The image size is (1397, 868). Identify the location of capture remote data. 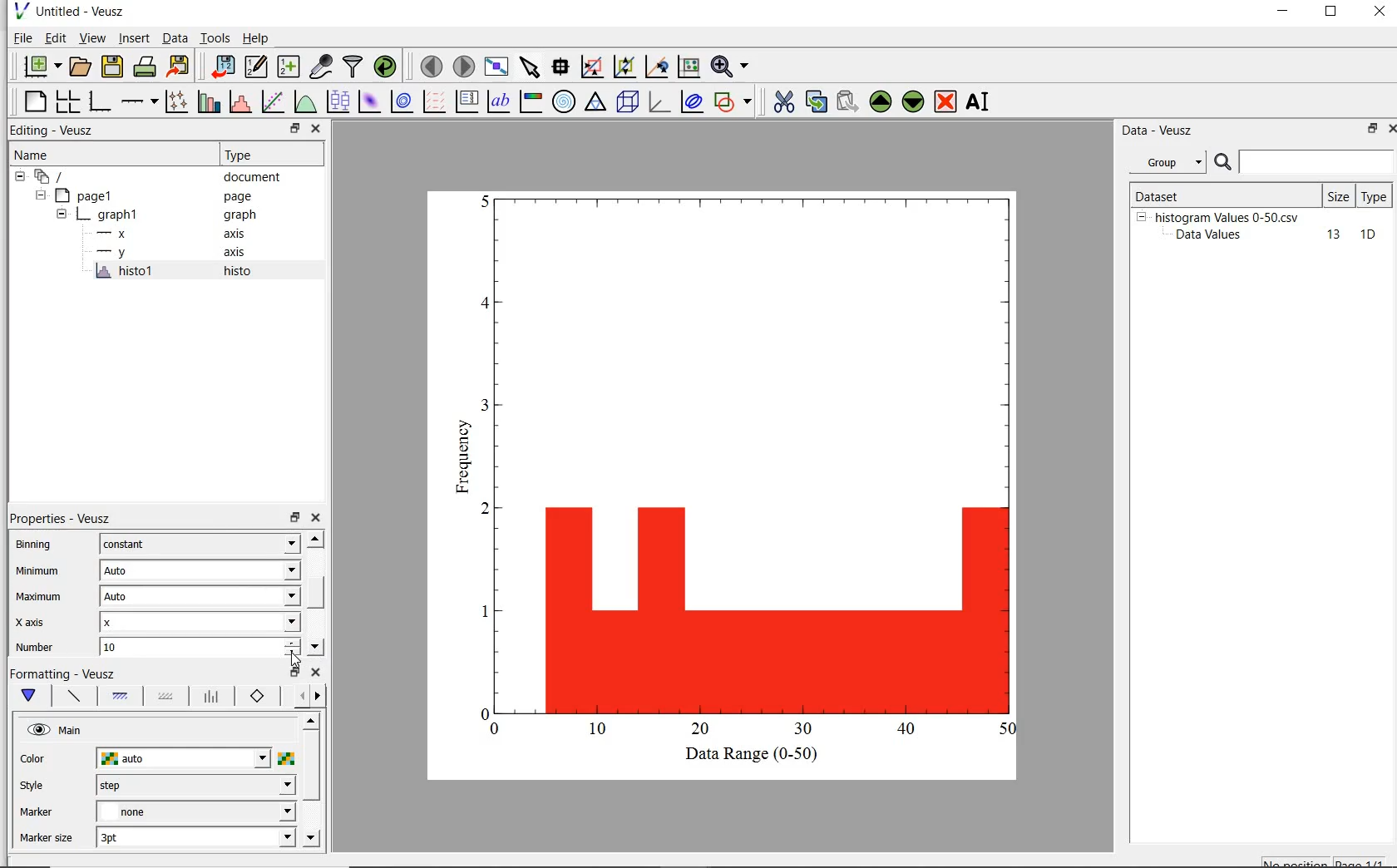
(321, 67).